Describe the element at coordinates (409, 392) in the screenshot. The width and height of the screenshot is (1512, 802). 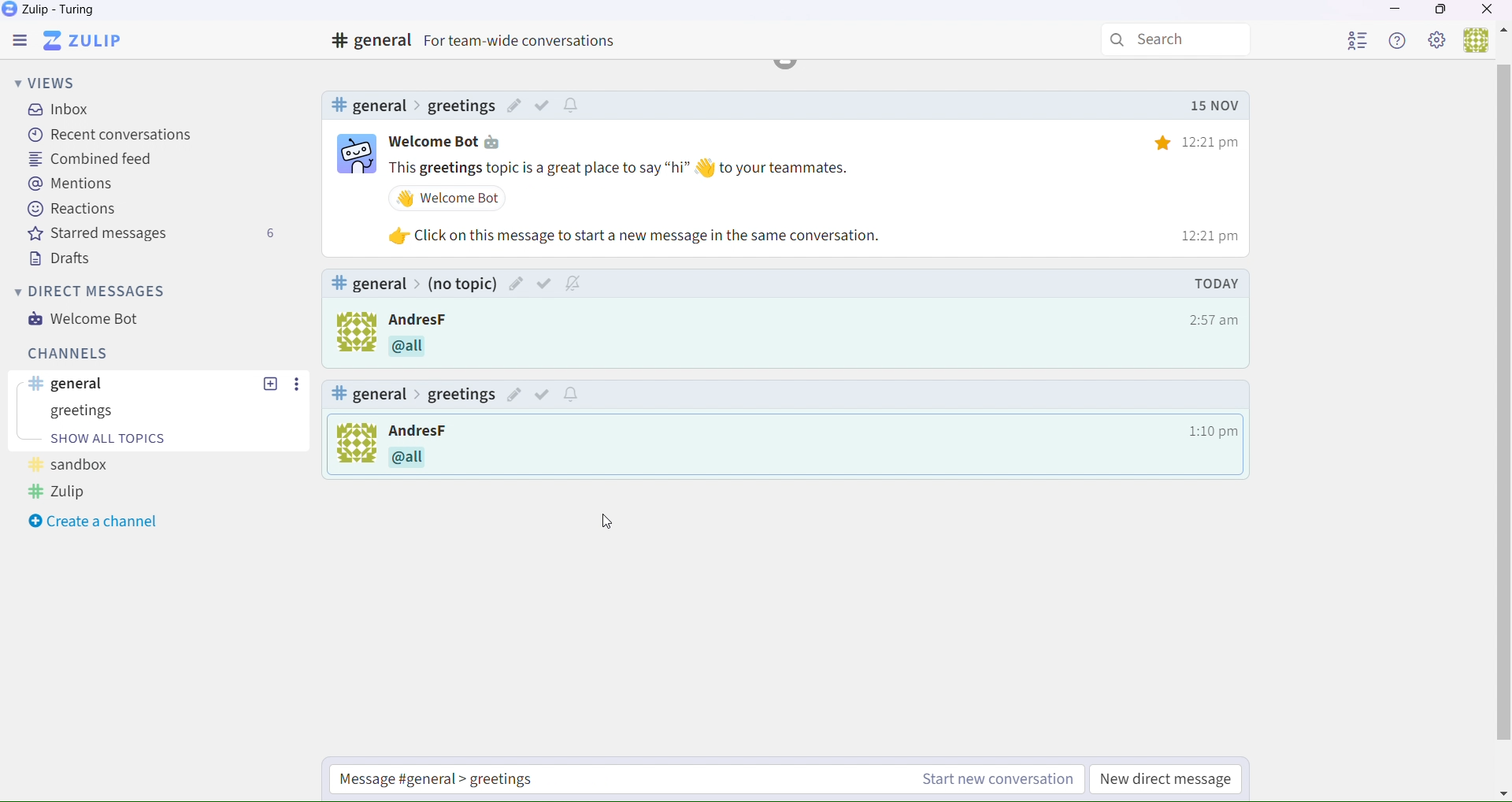
I see `#general> (No Topic)` at that location.